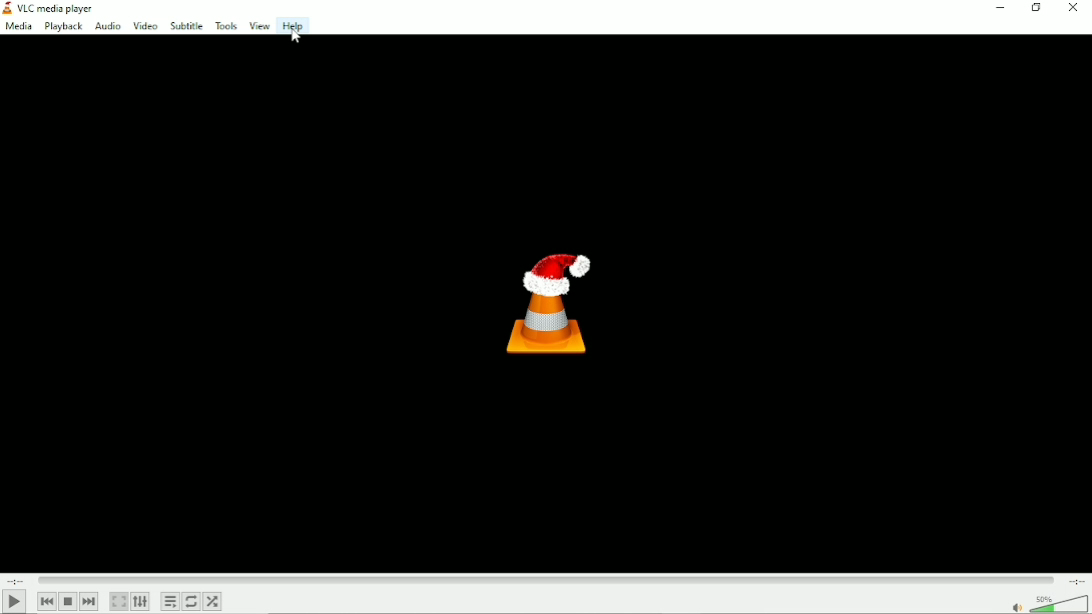 The height and width of the screenshot is (614, 1092). Describe the element at coordinates (213, 601) in the screenshot. I see `Random` at that location.